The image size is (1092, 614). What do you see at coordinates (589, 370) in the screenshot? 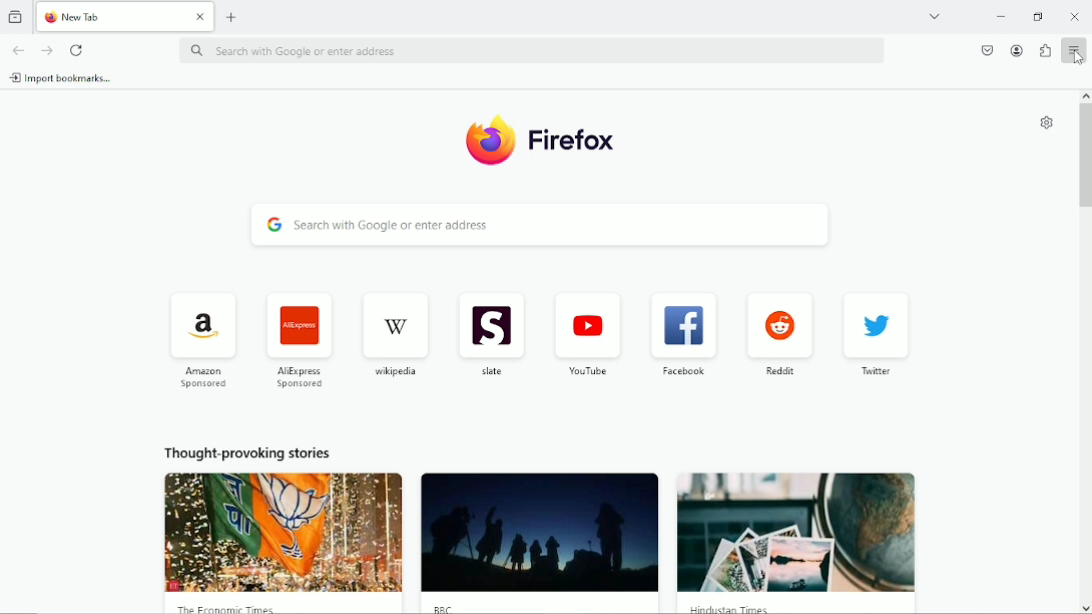
I see `youtube` at bounding box center [589, 370].